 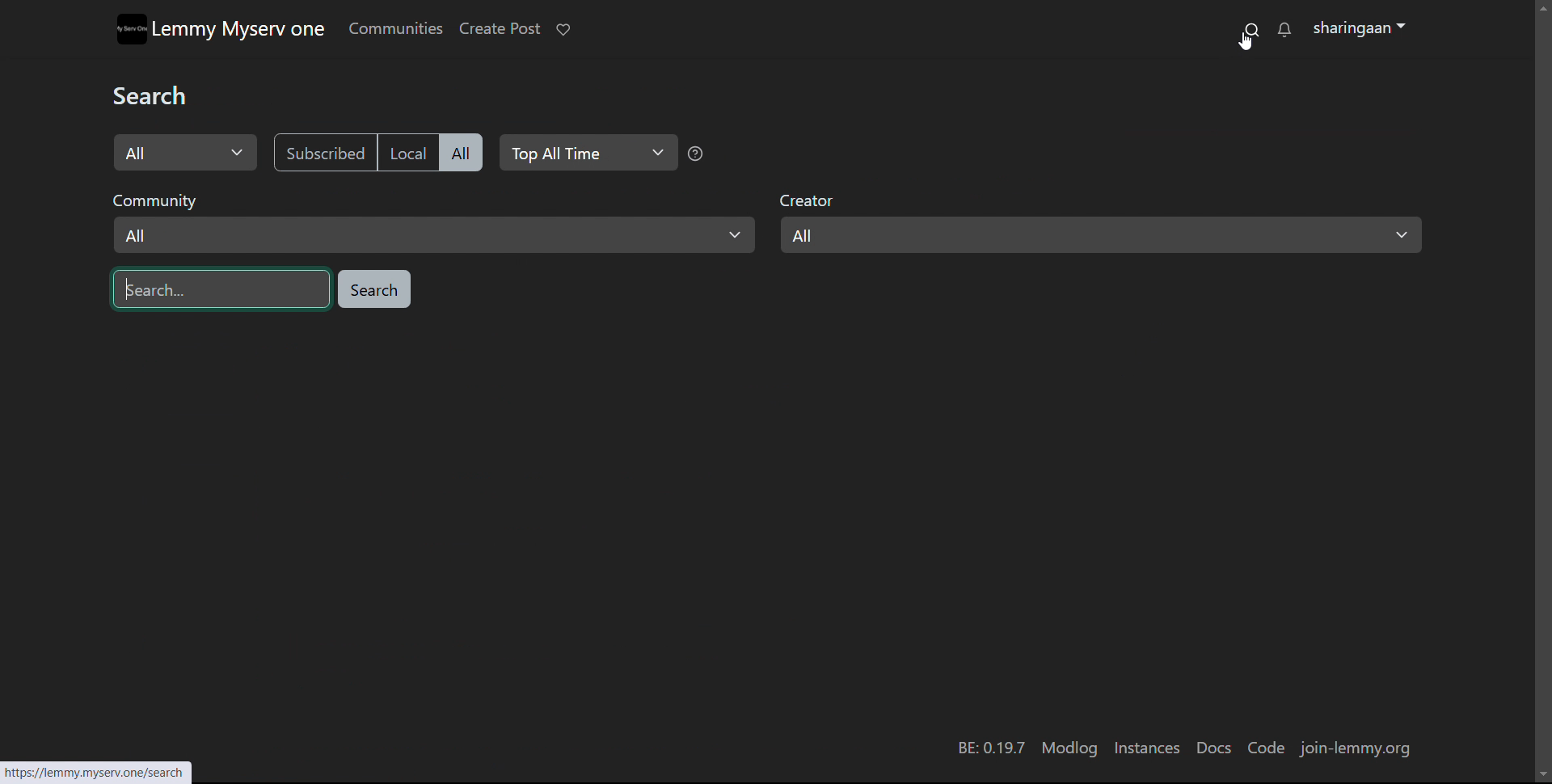 I want to click on version, so click(x=991, y=747).